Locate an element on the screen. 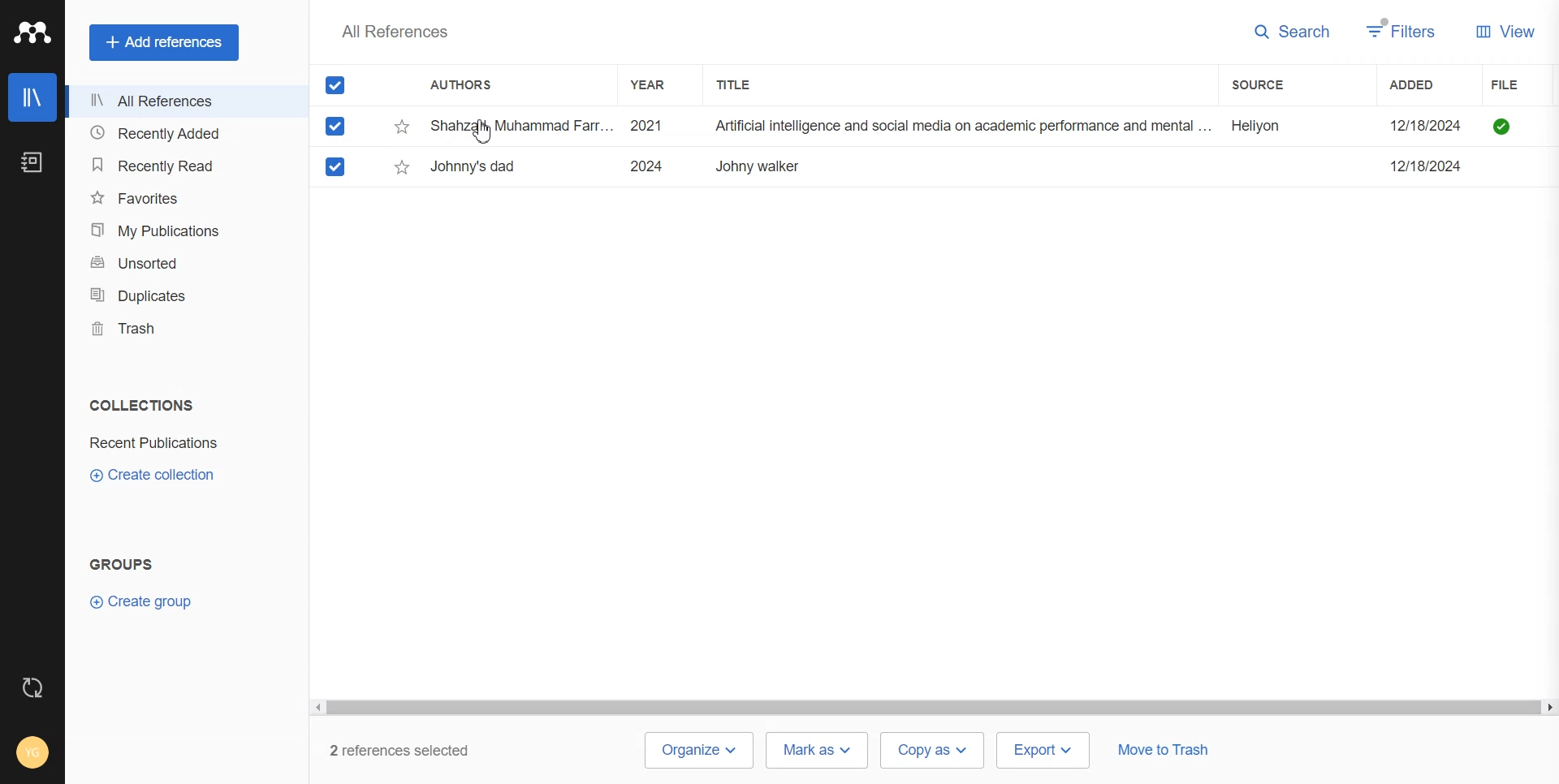 This screenshot has width=1559, height=784. scroll left is located at coordinates (317, 708).